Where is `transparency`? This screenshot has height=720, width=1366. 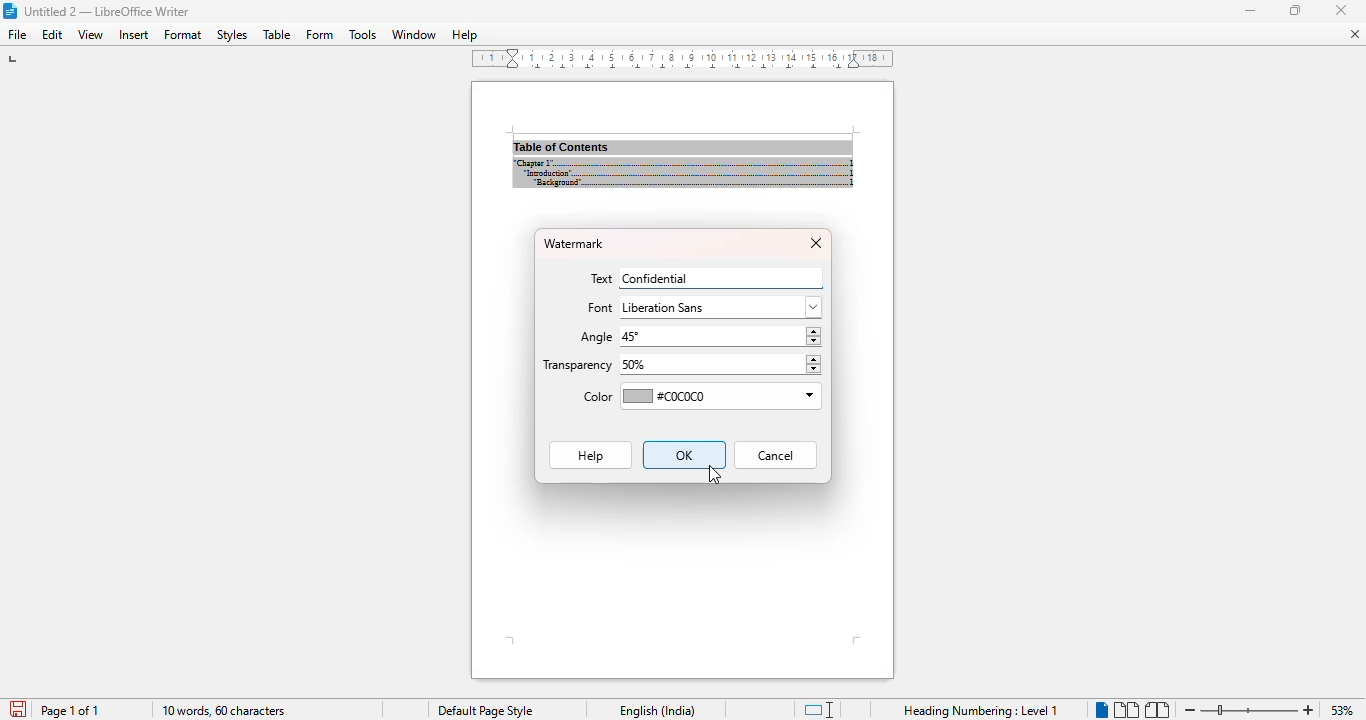
transparency is located at coordinates (577, 365).